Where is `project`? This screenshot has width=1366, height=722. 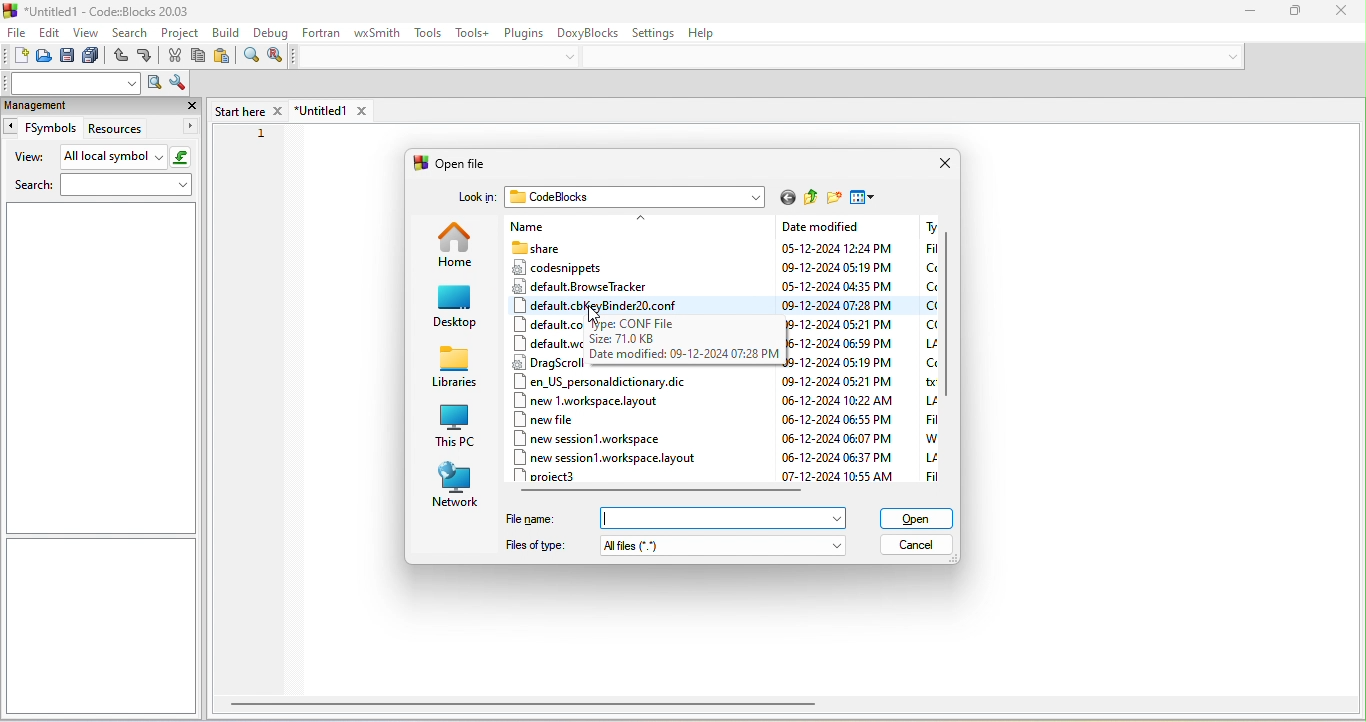
project is located at coordinates (178, 31).